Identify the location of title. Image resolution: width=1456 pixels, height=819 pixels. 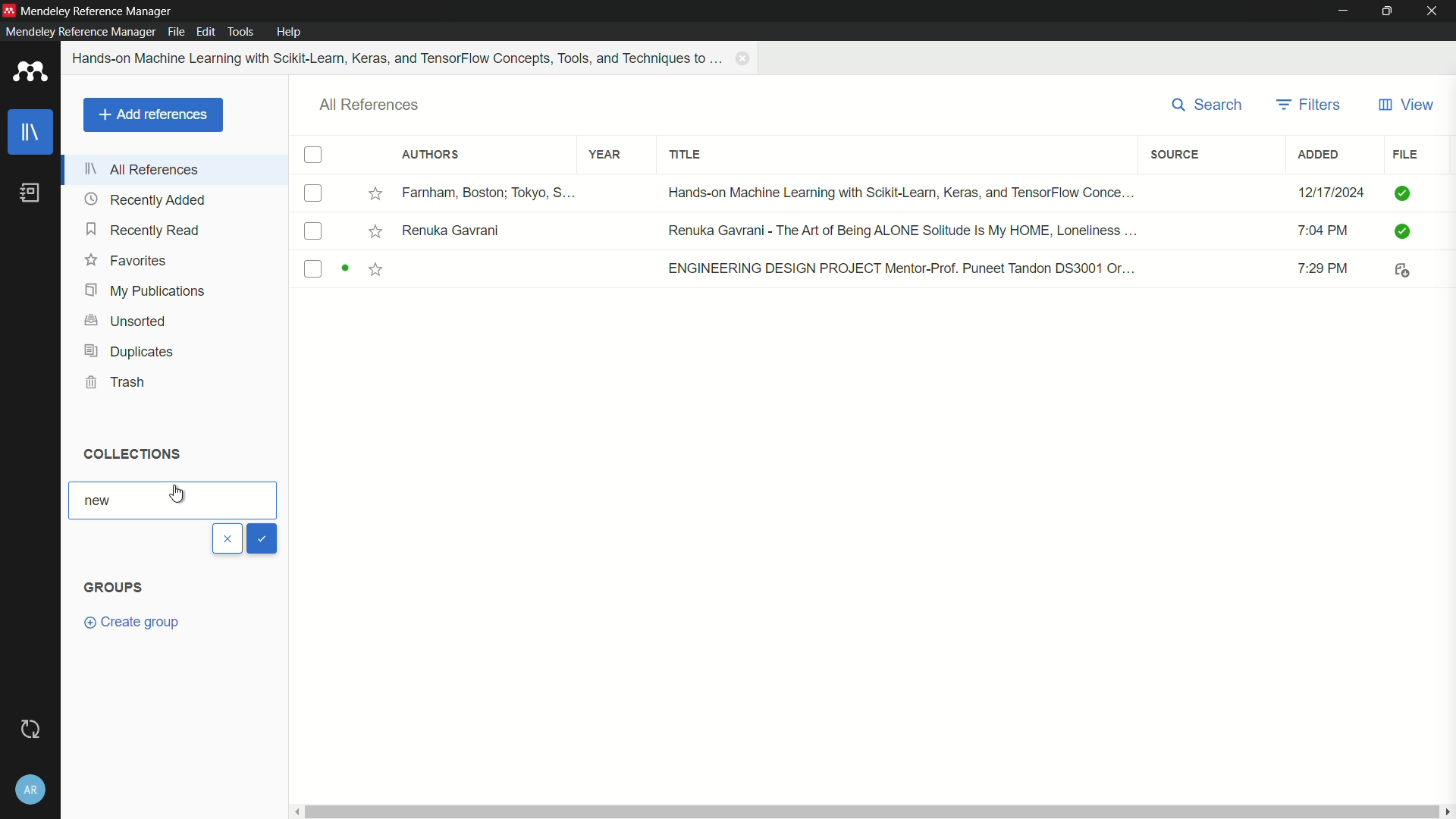
(686, 155).